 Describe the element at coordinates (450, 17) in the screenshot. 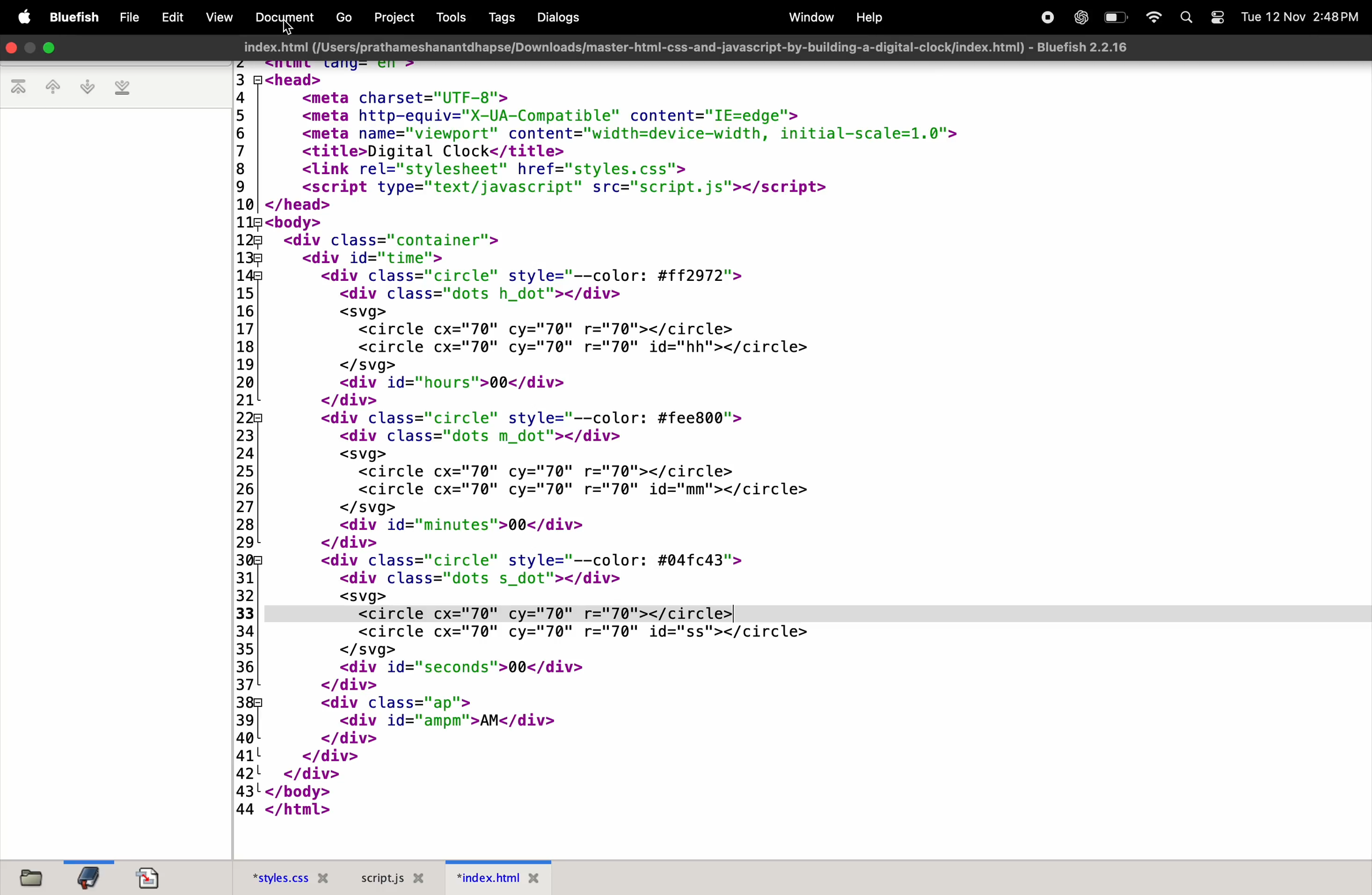

I see `tools` at that location.